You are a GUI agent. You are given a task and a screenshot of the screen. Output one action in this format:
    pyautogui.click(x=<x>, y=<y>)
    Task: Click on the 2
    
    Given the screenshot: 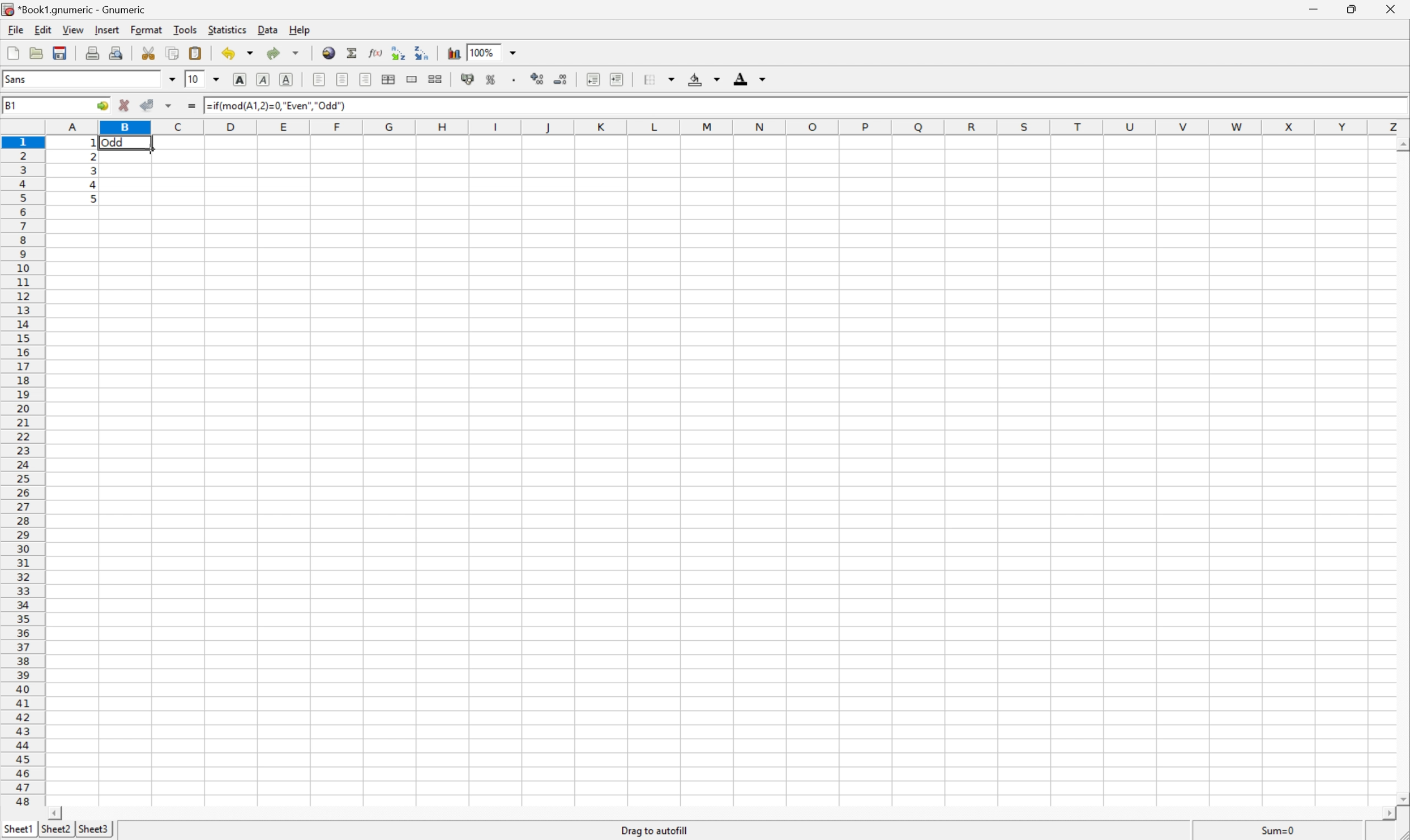 What is the action you would take?
    pyautogui.click(x=93, y=155)
    